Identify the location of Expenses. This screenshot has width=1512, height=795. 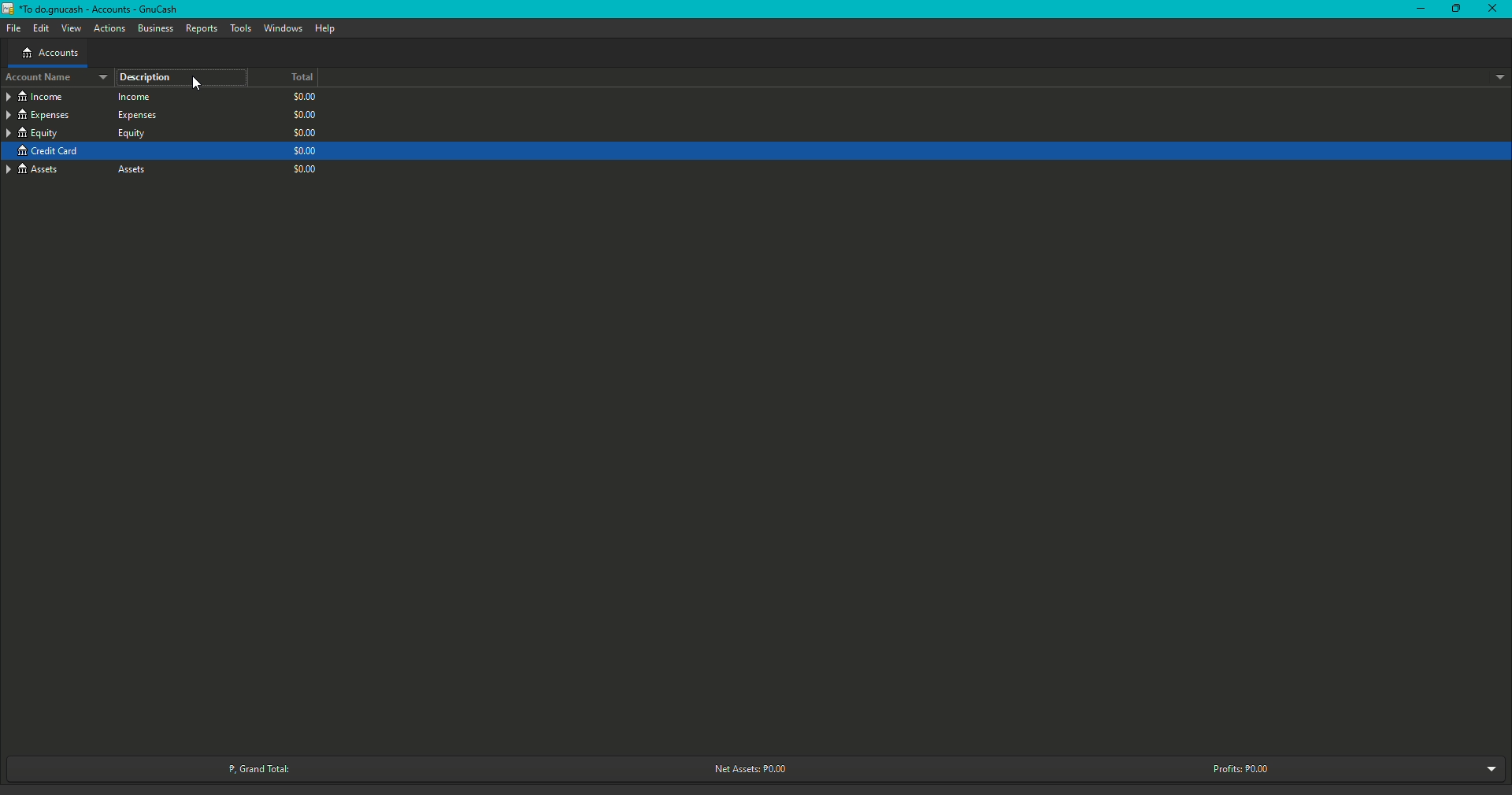
(85, 153).